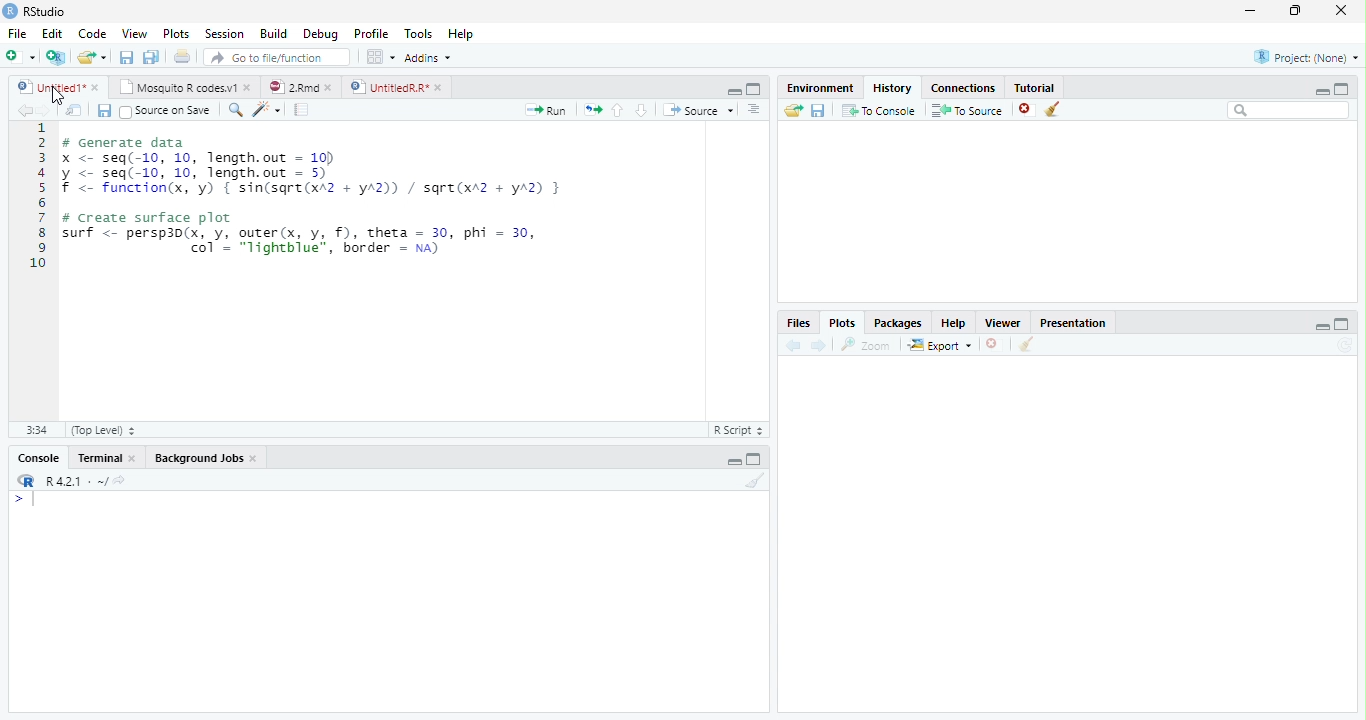  What do you see at coordinates (963, 87) in the screenshot?
I see `Connections` at bounding box center [963, 87].